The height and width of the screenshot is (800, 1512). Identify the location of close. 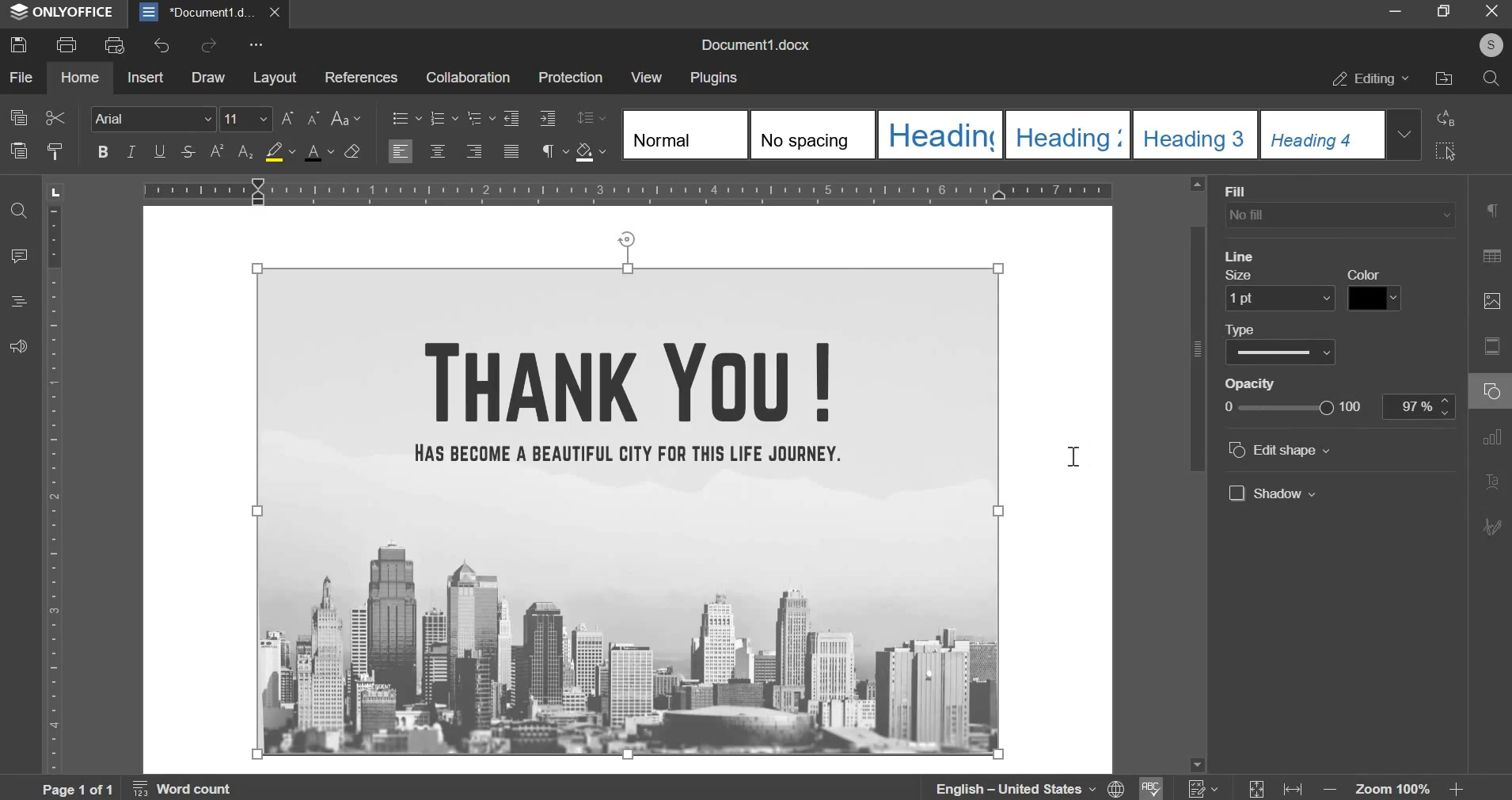
(1488, 12).